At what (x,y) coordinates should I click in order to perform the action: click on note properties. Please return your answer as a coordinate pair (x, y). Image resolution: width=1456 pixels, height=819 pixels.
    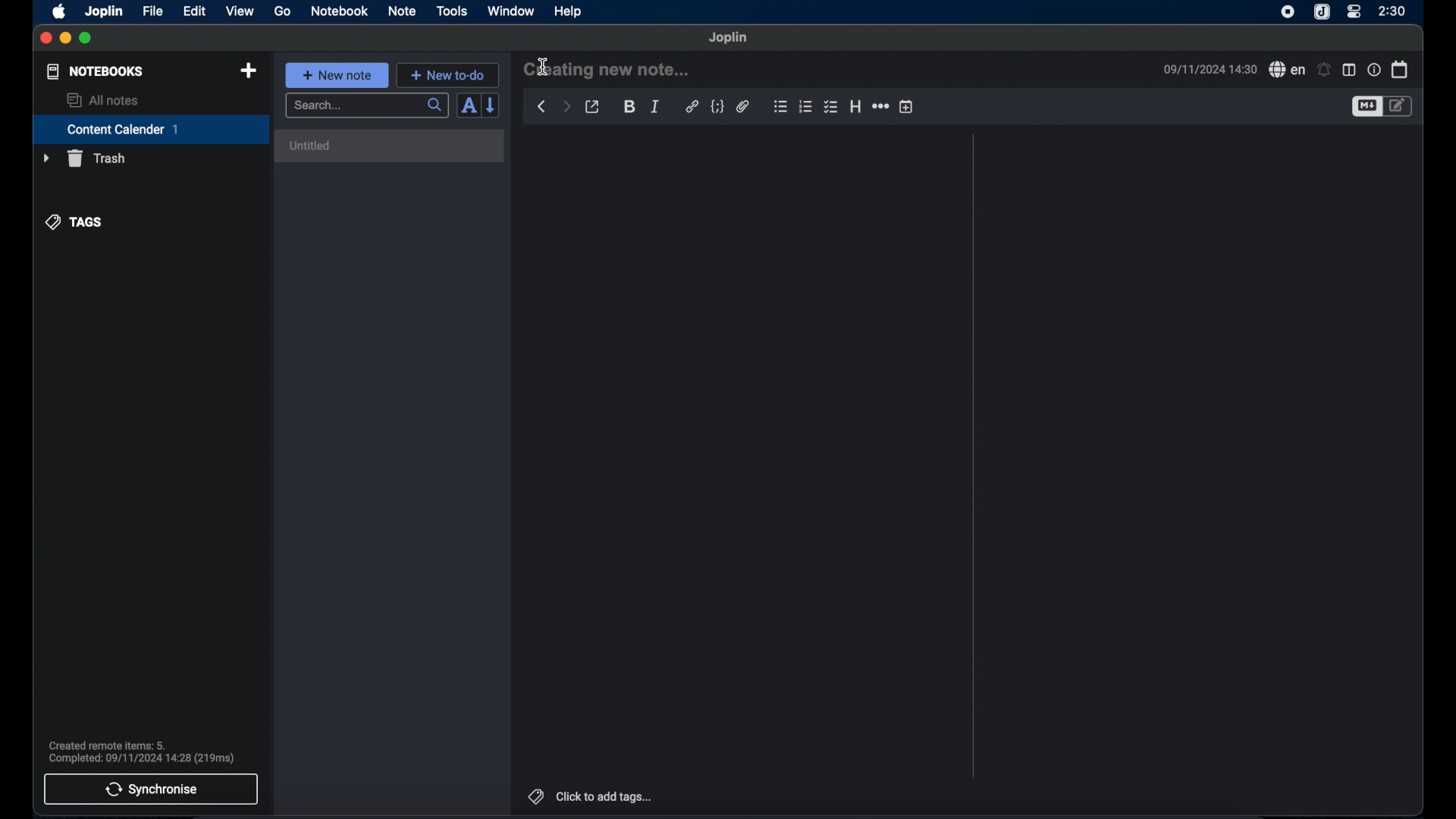
    Looking at the image, I should click on (1374, 69).